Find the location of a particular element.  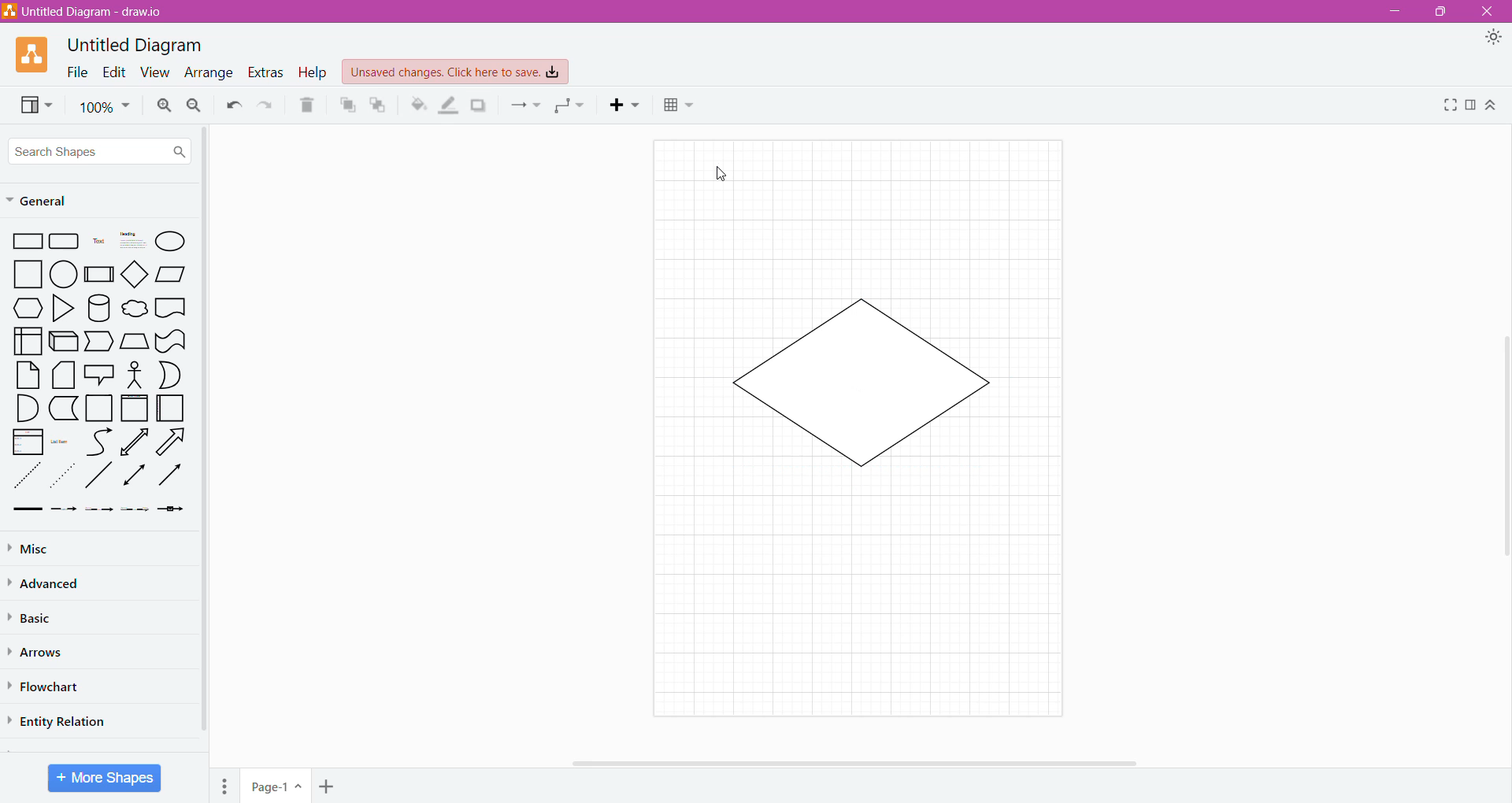

Directional Connector is located at coordinates (173, 479).